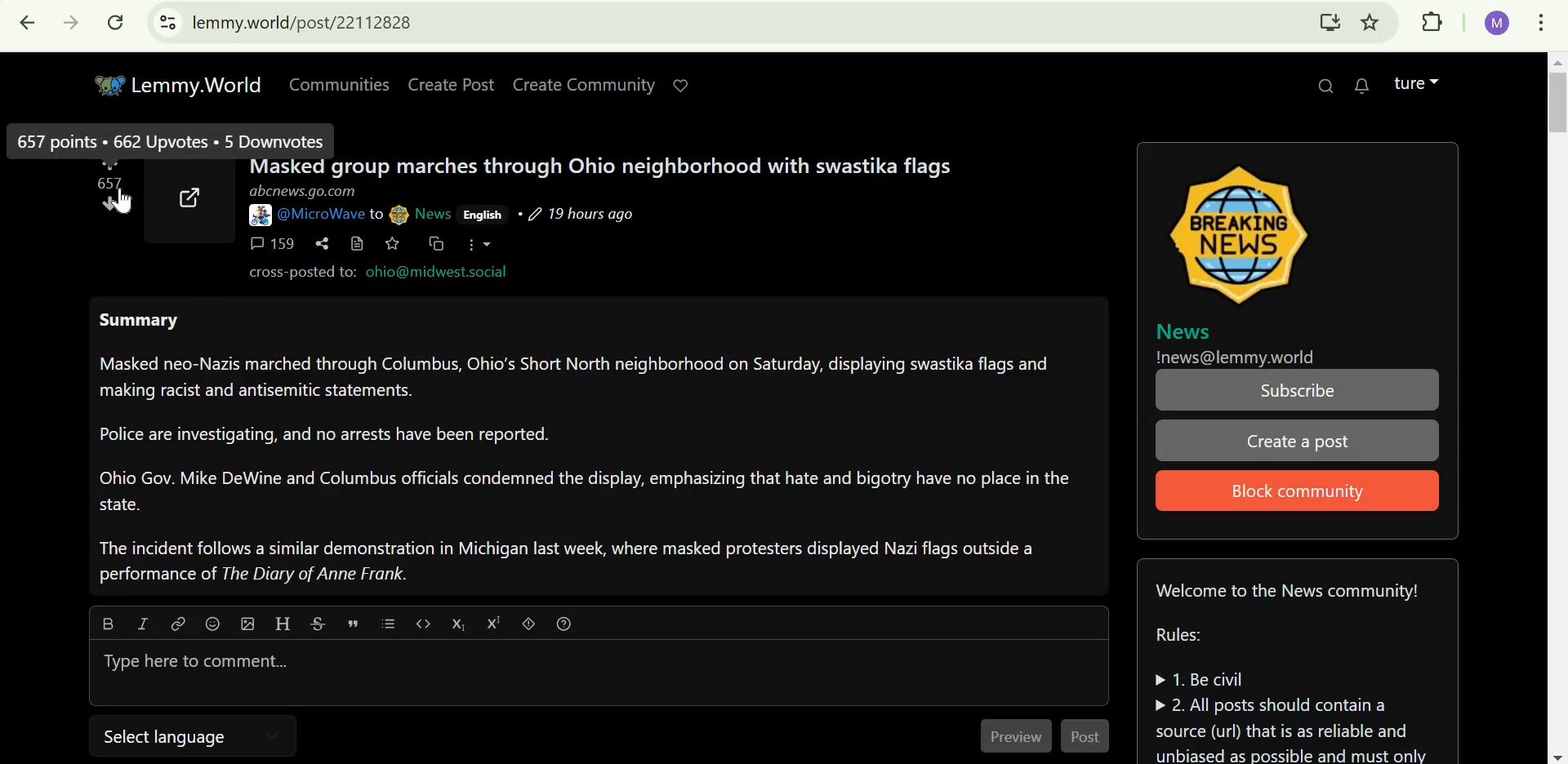  What do you see at coordinates (266, 243) in the screenshot?
I see `159 comments` at bounding box center [266, 243].